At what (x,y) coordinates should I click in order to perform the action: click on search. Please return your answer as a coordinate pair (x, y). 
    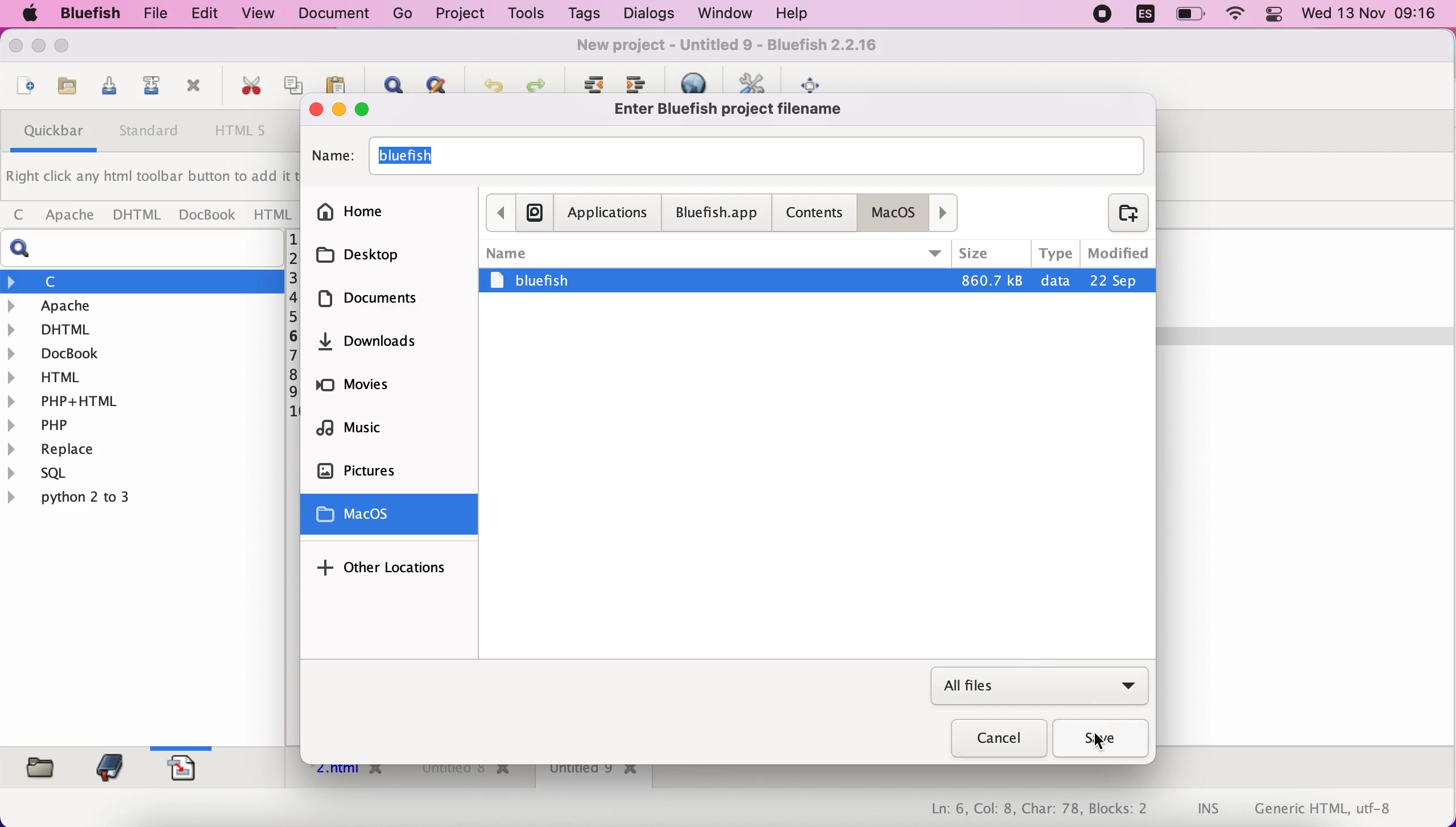
    Looking at the image, I should click on (147, 249).